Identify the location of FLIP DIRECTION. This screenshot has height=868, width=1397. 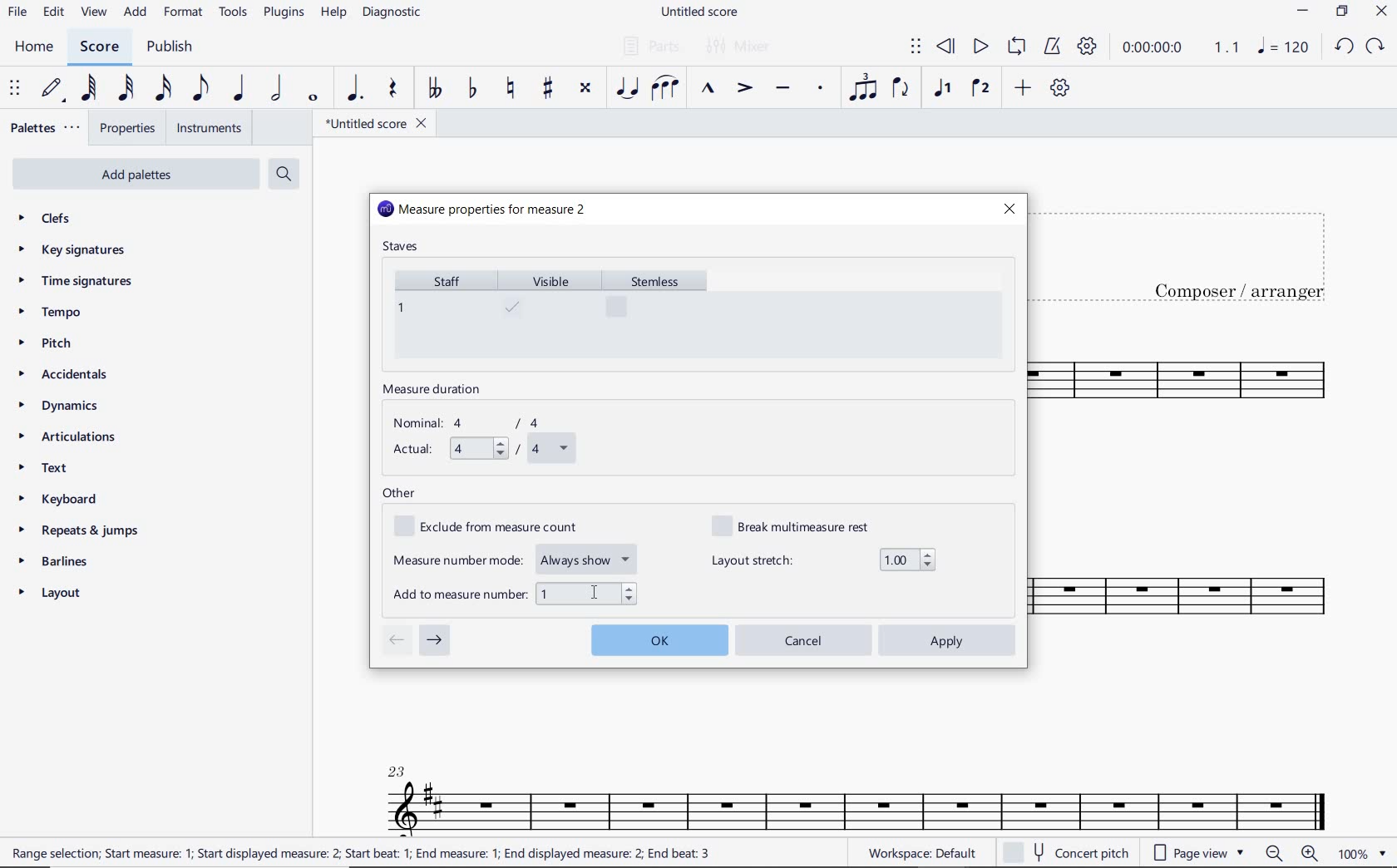
(901, 90).